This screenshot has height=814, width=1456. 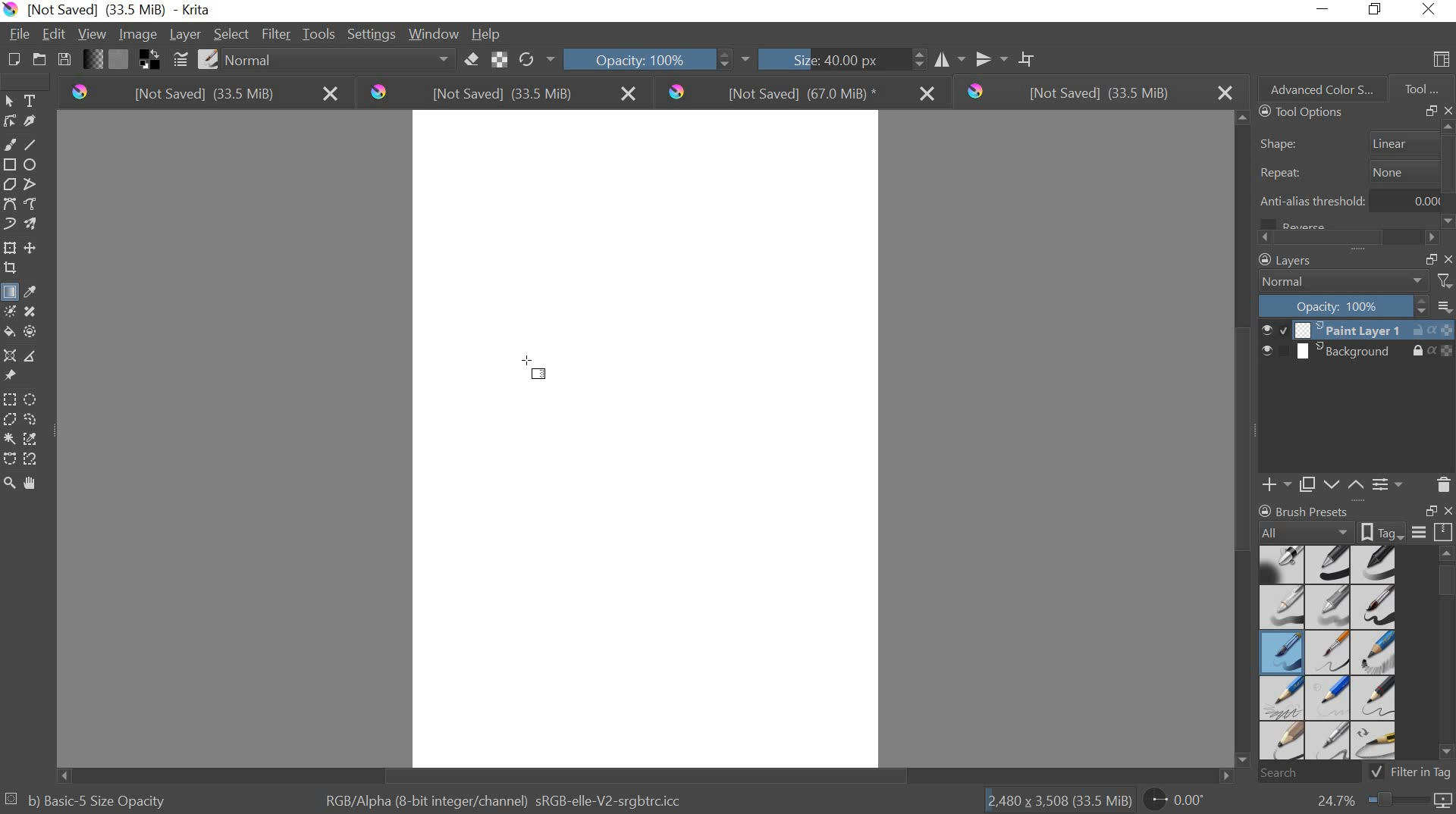 What do you see at coordinates (1357, 330) in the screenshot?
I see `PAINT LAYER` at bounding box center [1357, 330].